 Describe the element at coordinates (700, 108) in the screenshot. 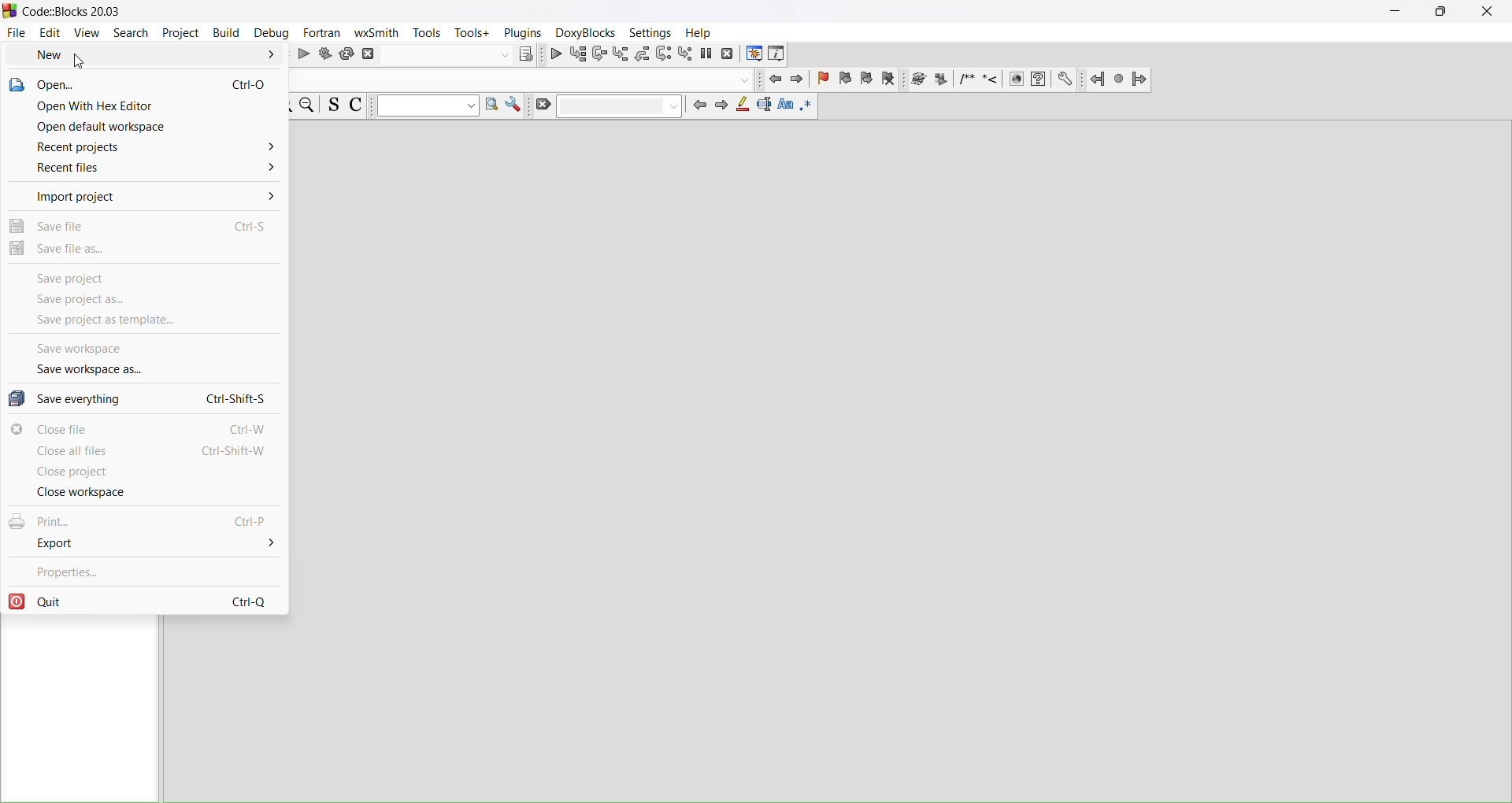

I see `previous` at that location.